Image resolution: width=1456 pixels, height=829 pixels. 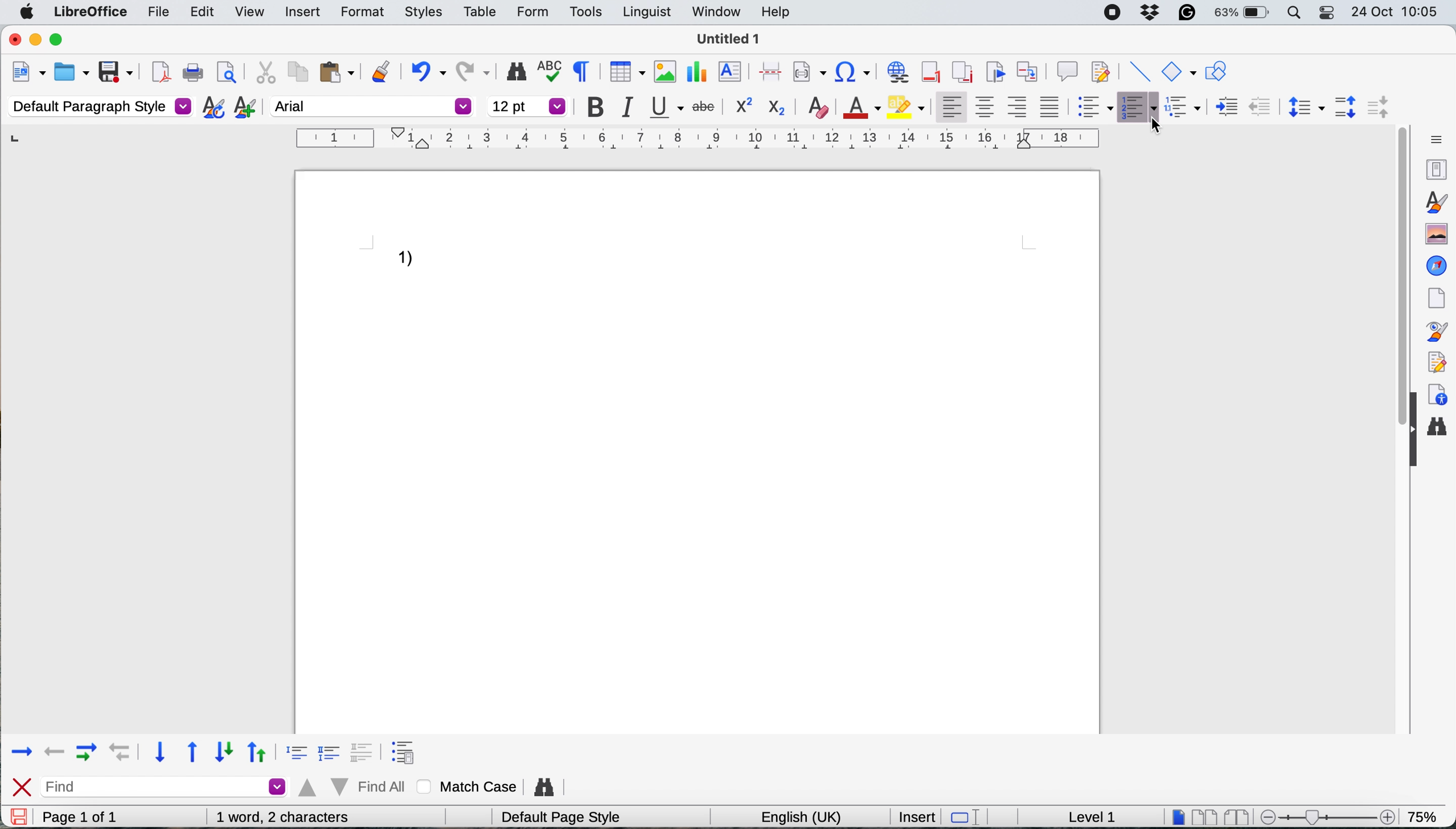 What do you see at coordinates (1331, 813) in the screenshot?
I see `zoom scale` at bounding box center [1331, 813].